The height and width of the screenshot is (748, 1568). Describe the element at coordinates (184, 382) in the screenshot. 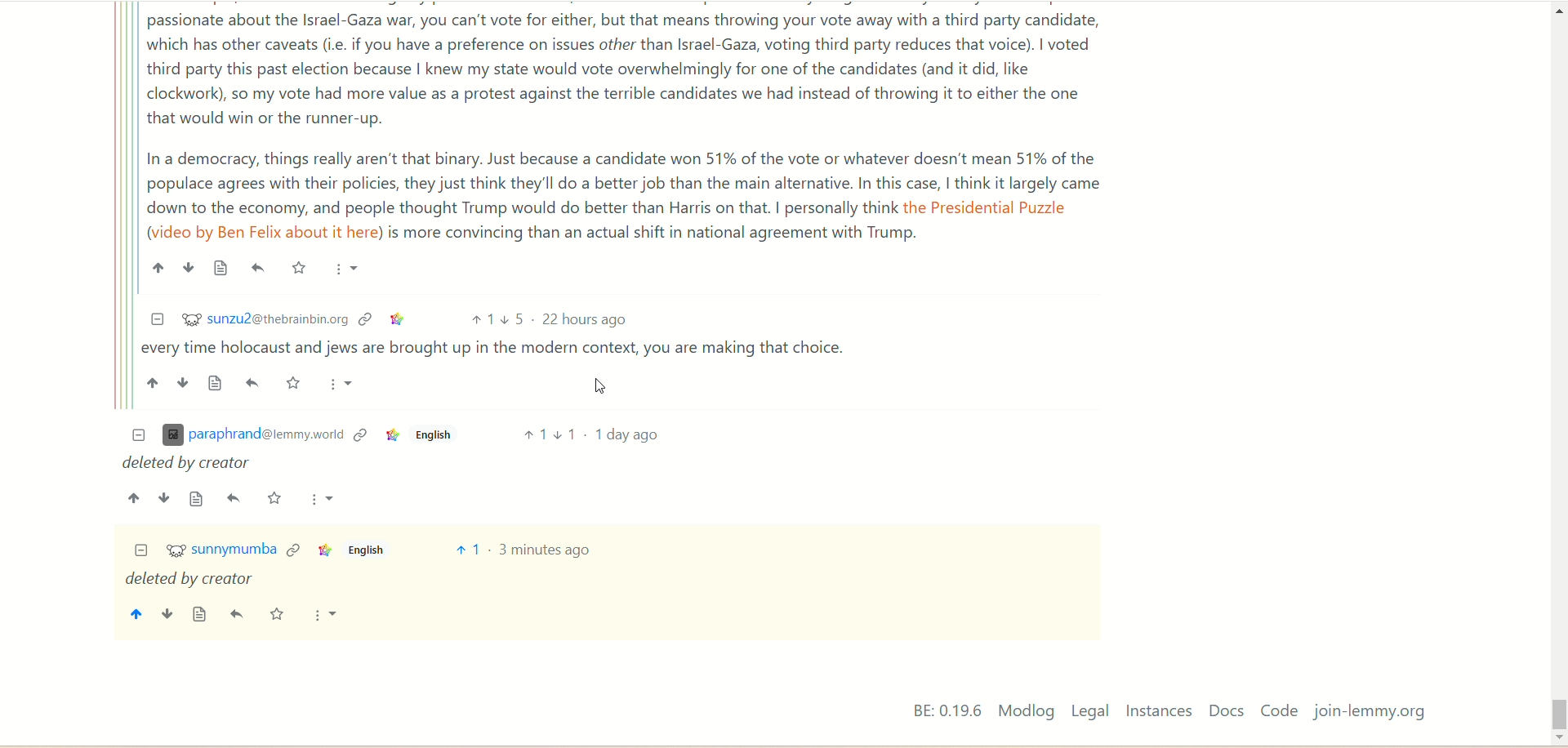

I see `Downvote` at that location.